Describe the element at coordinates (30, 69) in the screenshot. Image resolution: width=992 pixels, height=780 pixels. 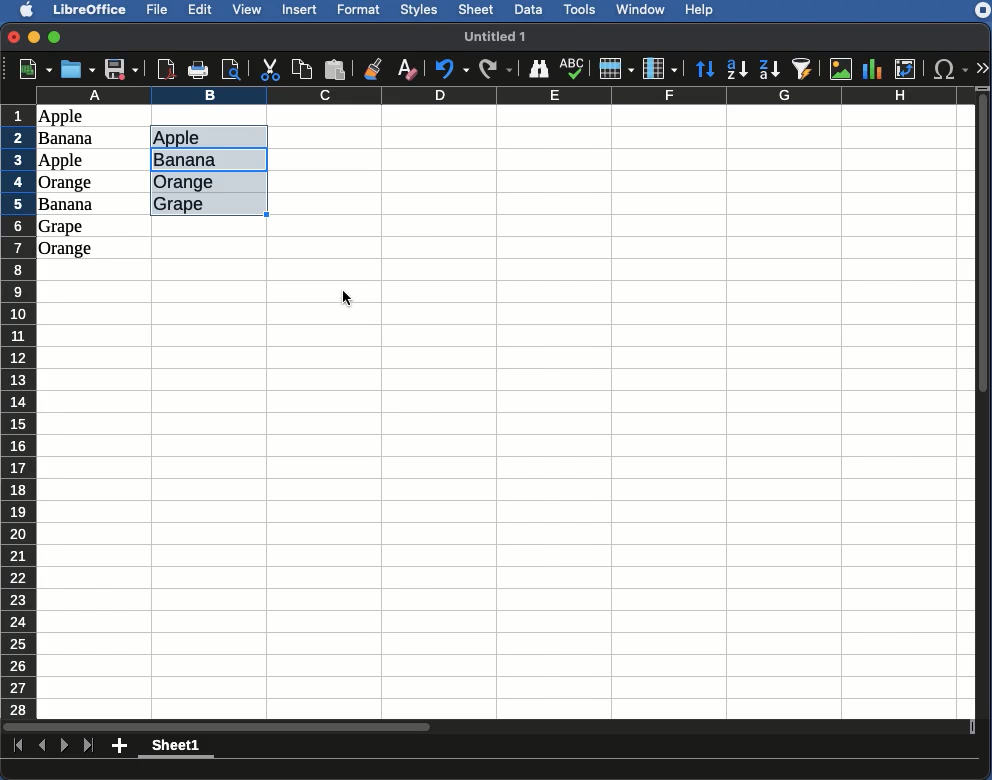
I see `New` at that location.